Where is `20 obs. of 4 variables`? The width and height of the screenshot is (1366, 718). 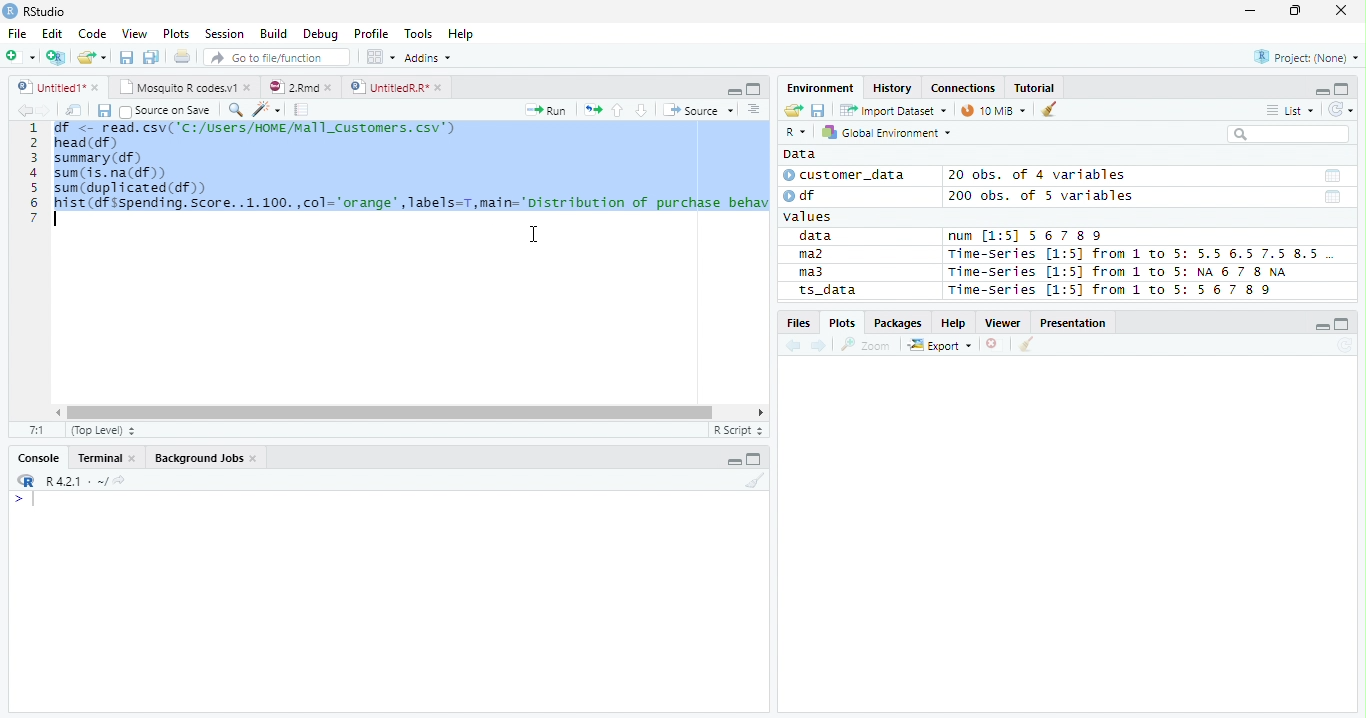
20 obs. of 4 variables is located at coordinates (1038, 177).